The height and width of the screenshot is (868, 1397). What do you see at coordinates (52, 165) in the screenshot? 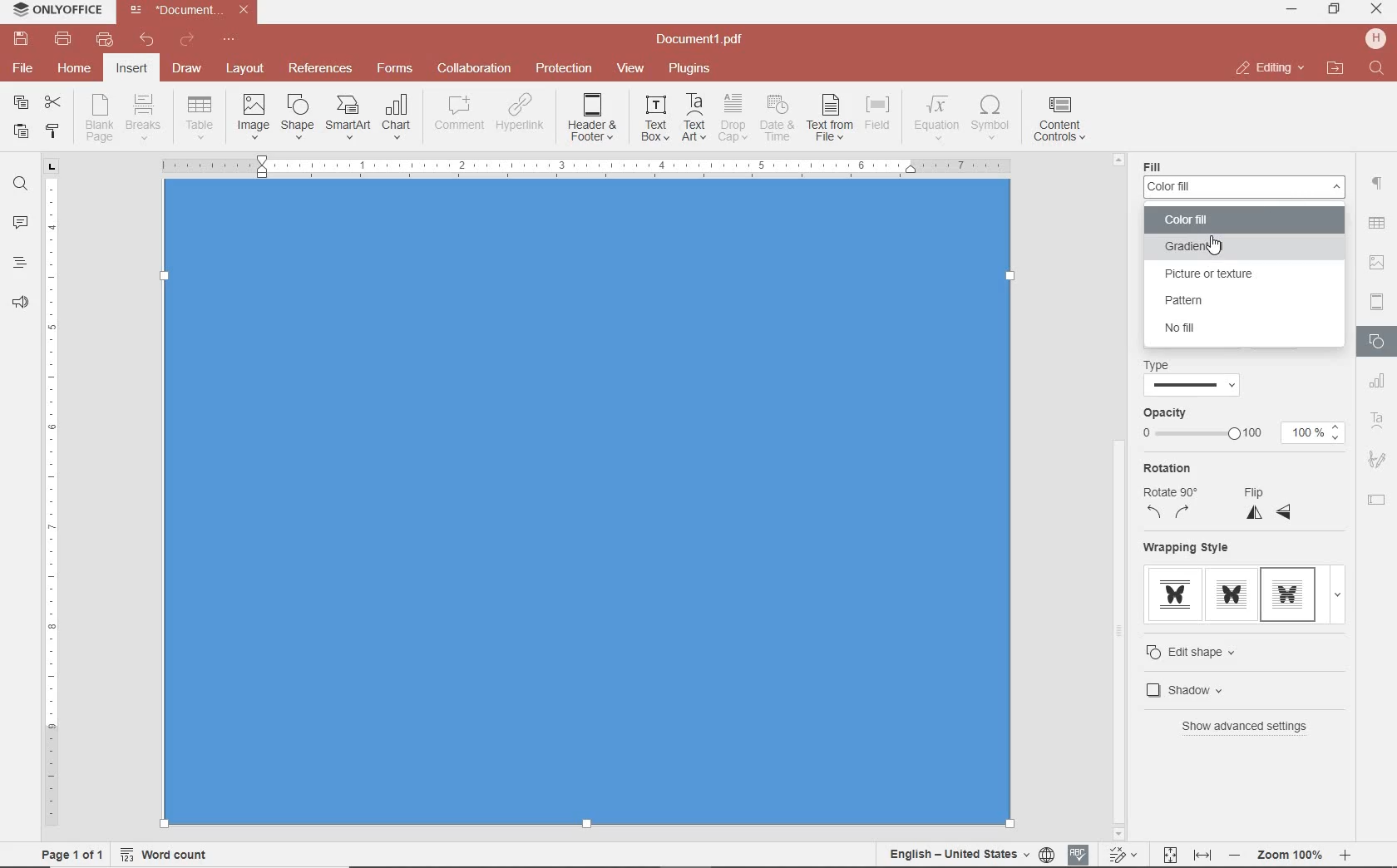
I see `tab stop` at bounding box center [52, 165].